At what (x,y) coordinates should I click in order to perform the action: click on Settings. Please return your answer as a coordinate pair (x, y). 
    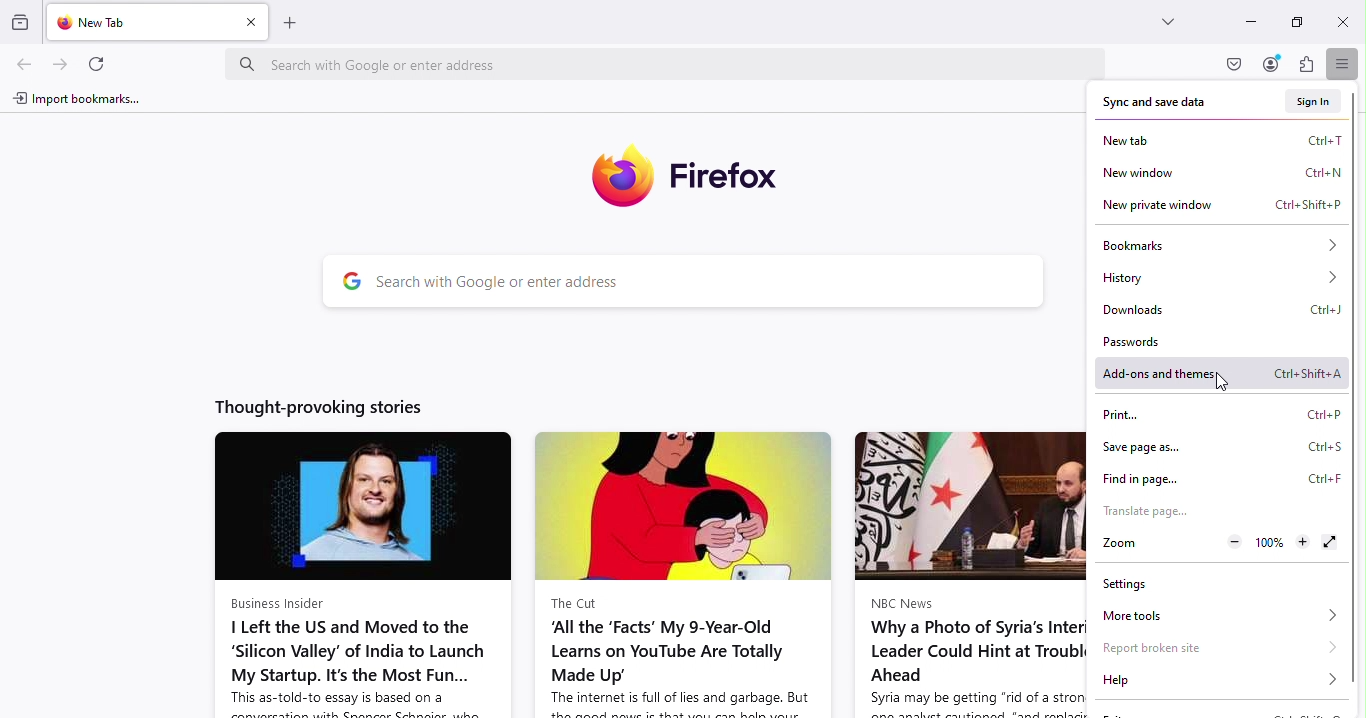
    Looking at the image, I should click on (1123, 587).